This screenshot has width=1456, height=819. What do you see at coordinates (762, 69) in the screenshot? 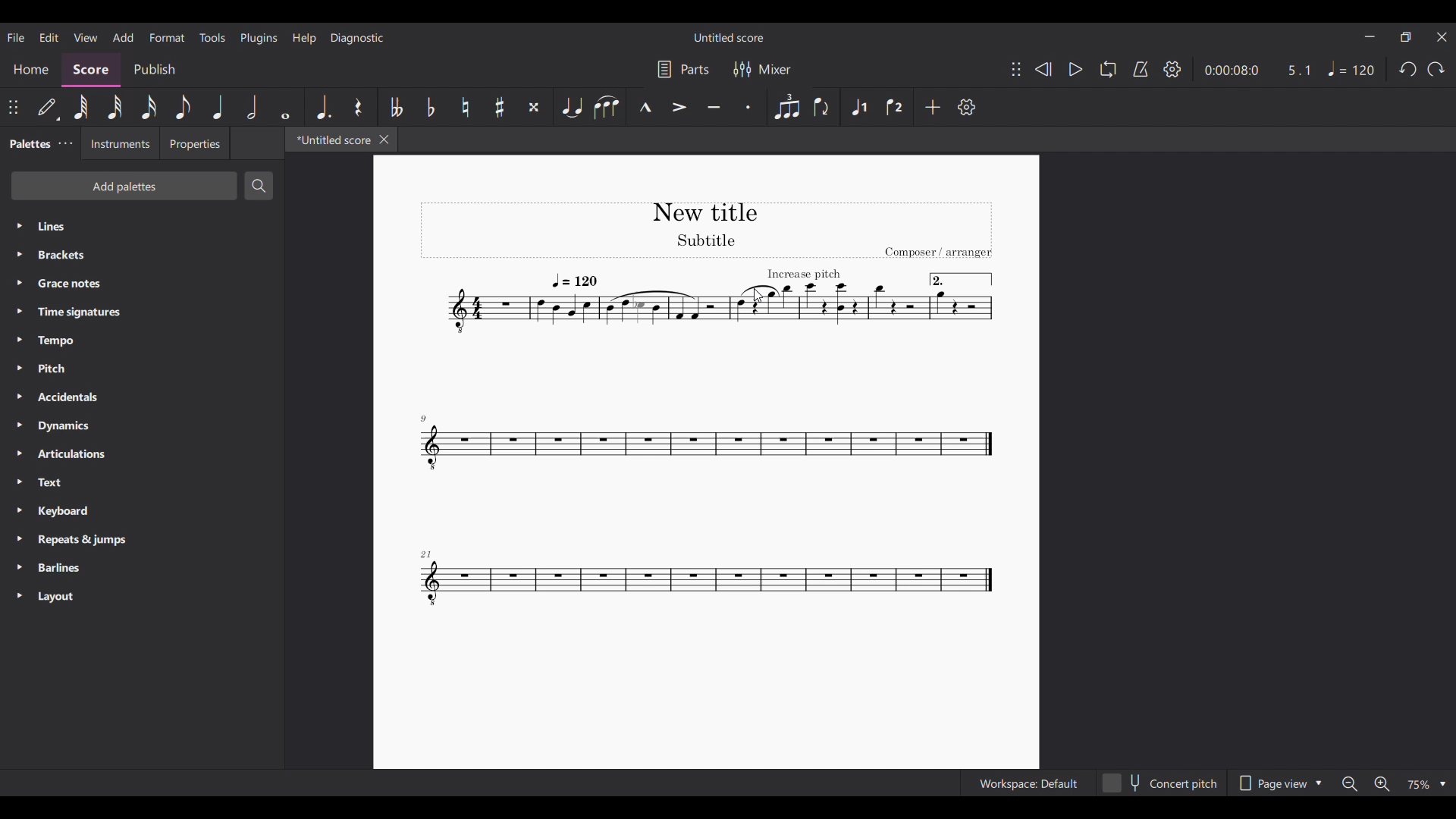
I see `Mixer settings` at bounding box center [762, 69].